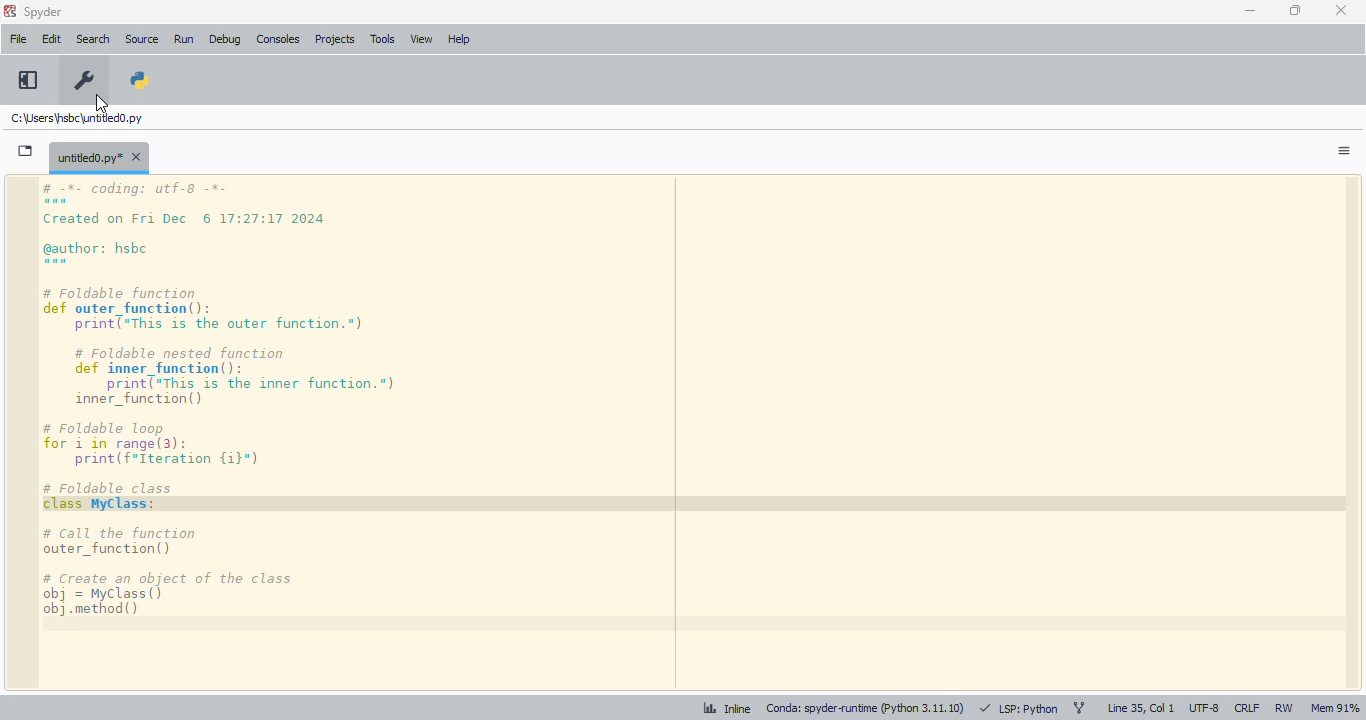 This screenshot has height=720, width=1366. Describe the element at coordinates (1250, 11) in the screenshot. I see `minimize` at that location.